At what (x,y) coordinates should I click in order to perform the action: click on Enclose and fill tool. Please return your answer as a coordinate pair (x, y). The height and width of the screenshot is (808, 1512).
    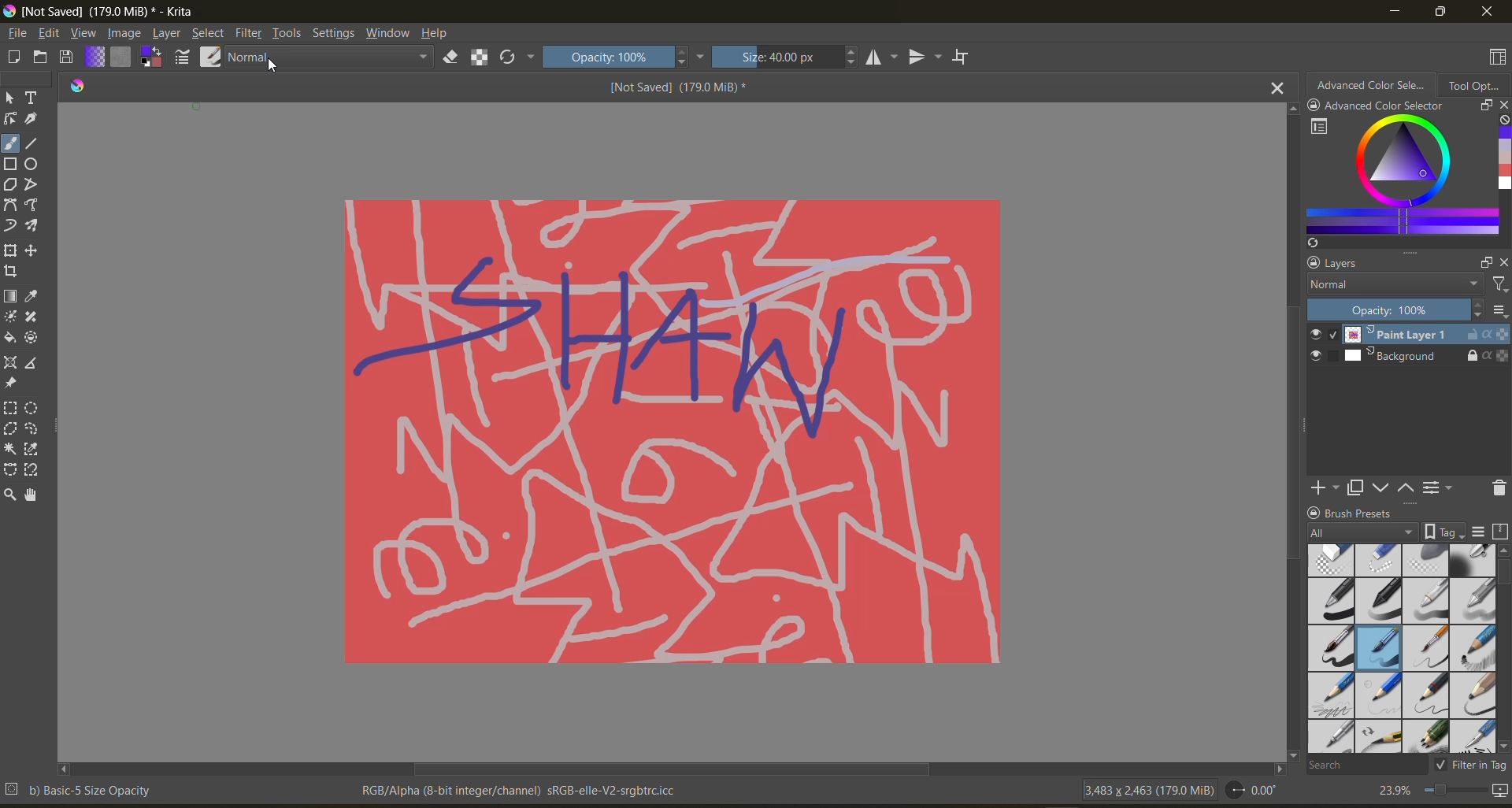
    Looking at the image, I should click on (35, 338).